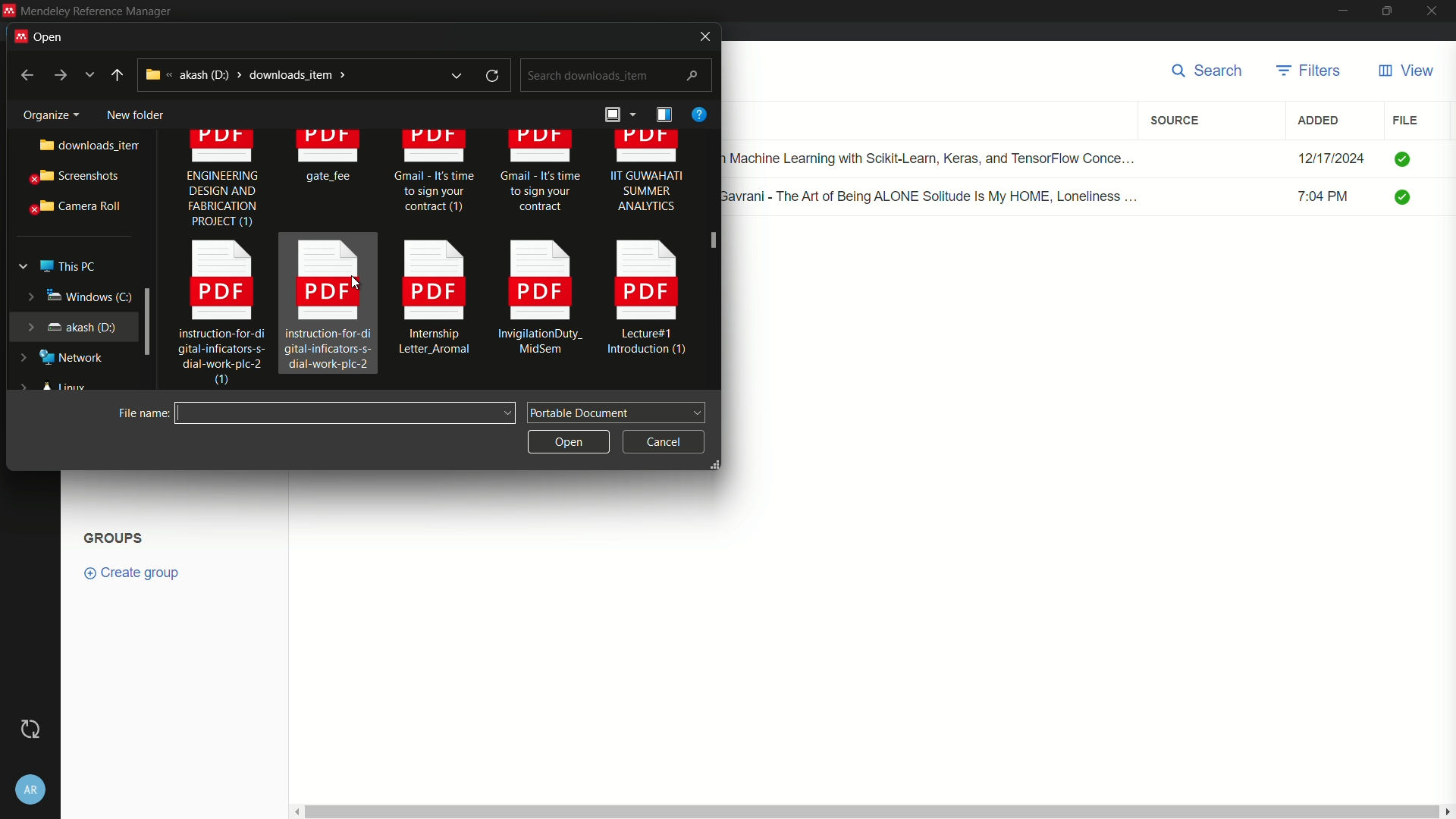 Image resolution: width=1456 pixels, height=819 pixels. Describe the element at coordinates (541, 174) in the screenshot. I see `Gmail - It's time.
to sign your
contract` at that location.